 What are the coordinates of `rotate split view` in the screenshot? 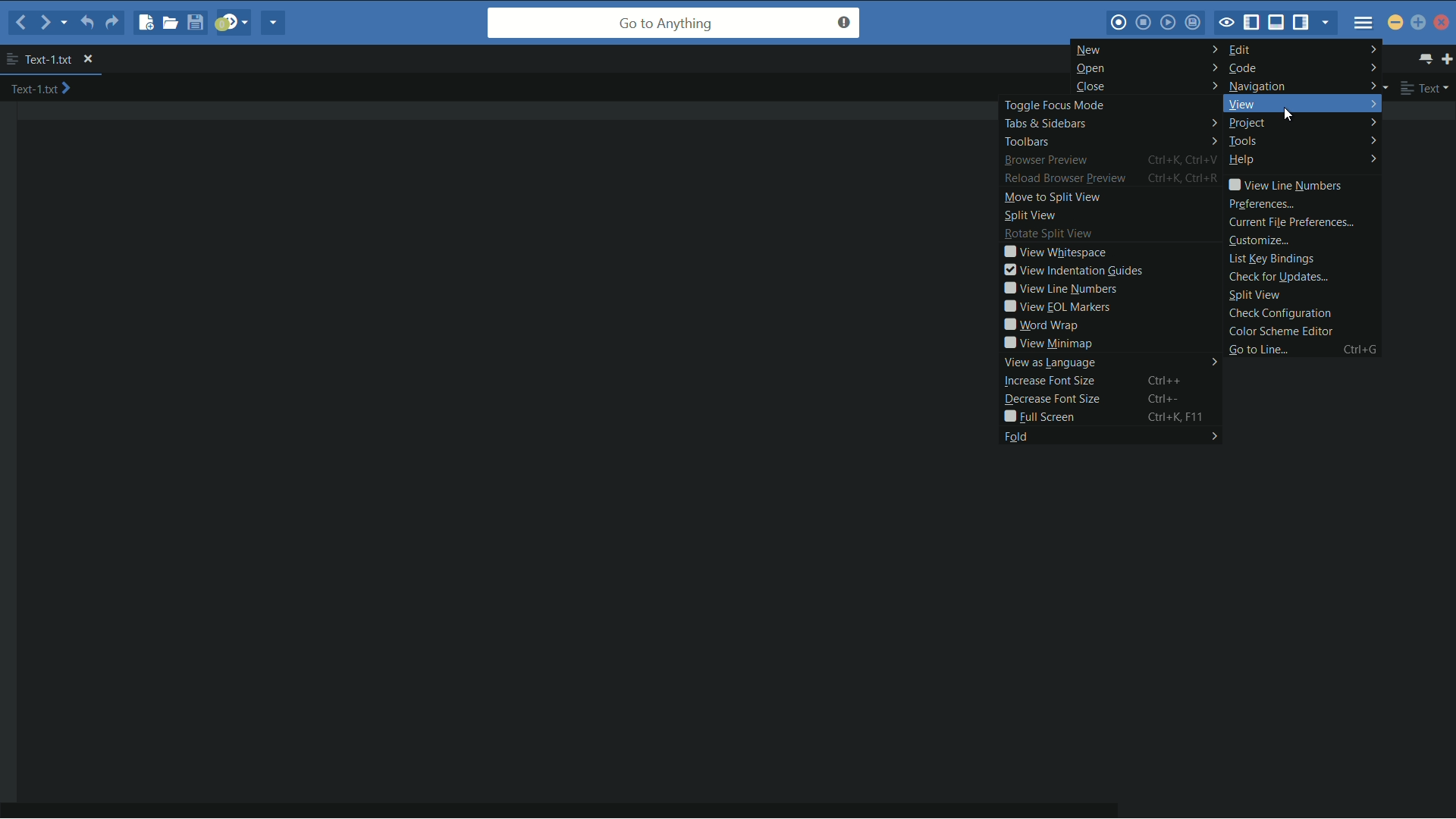 It's located at (1044, 234).